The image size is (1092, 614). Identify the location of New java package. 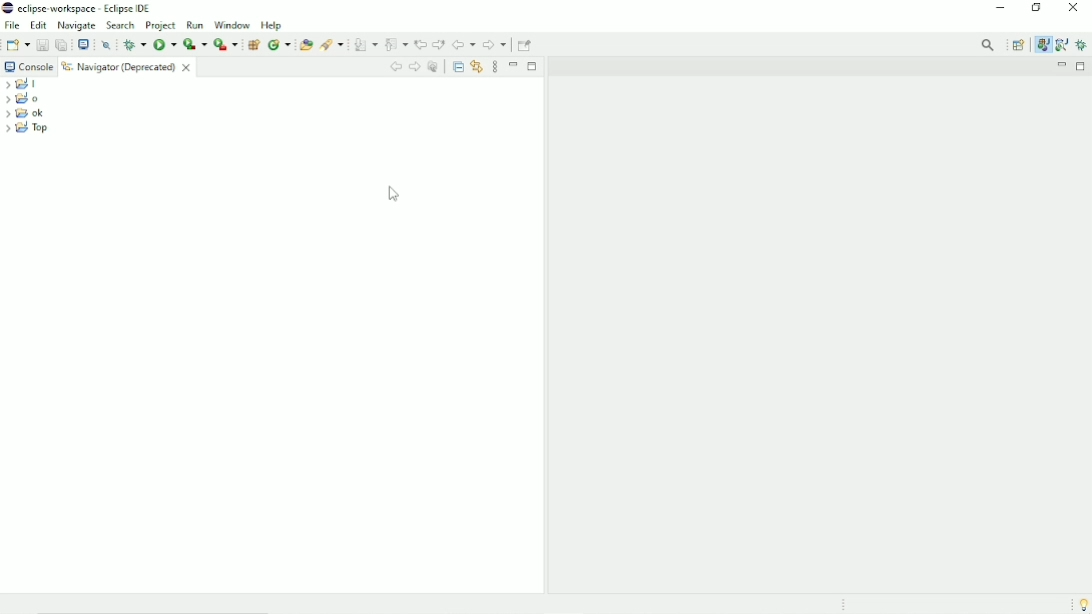
(253, 45).